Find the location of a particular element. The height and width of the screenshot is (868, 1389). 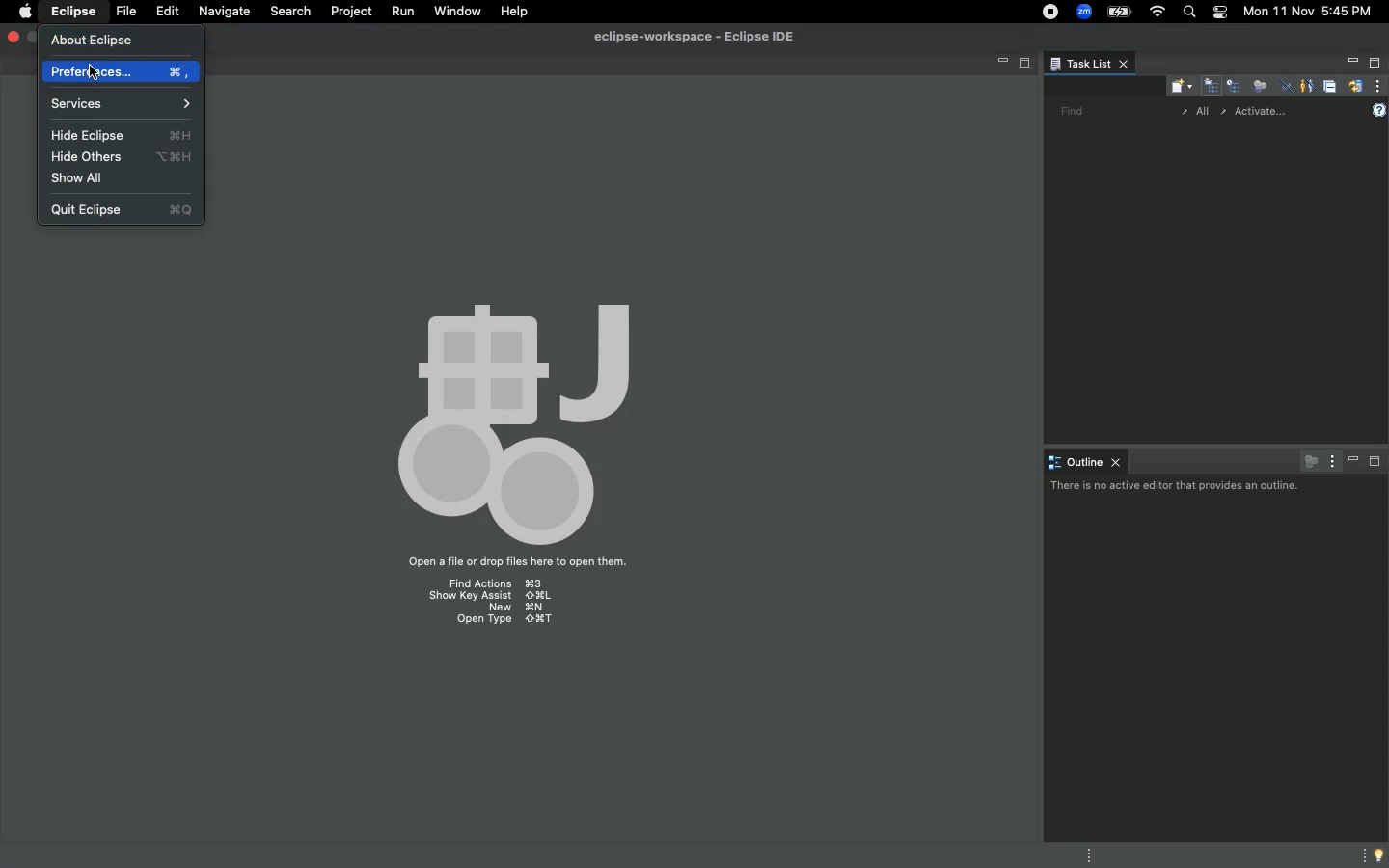

Synchronized change is located at coordinates (1355, 84).